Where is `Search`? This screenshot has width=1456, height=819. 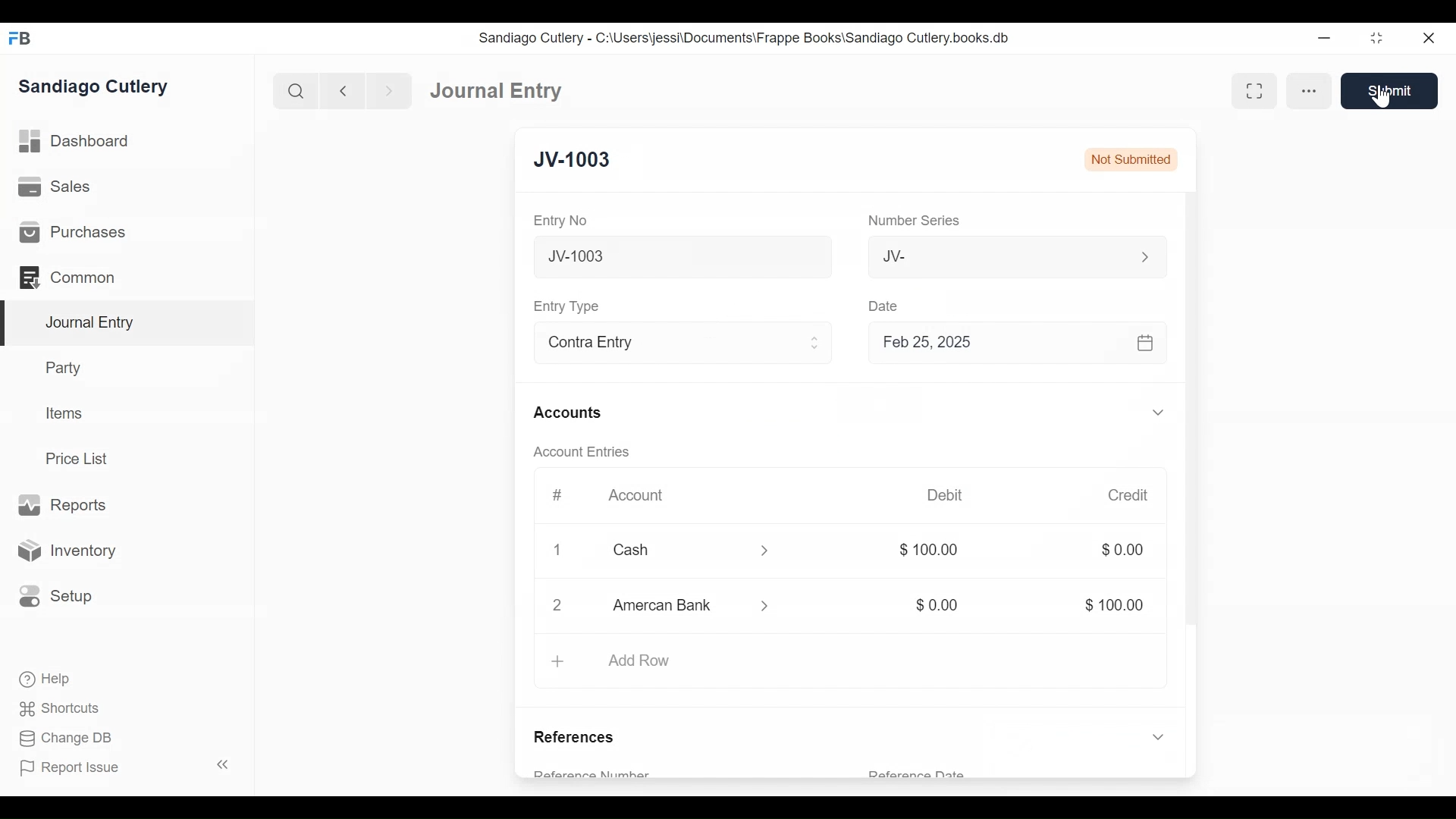
Search is located at coordinates (297, 90).